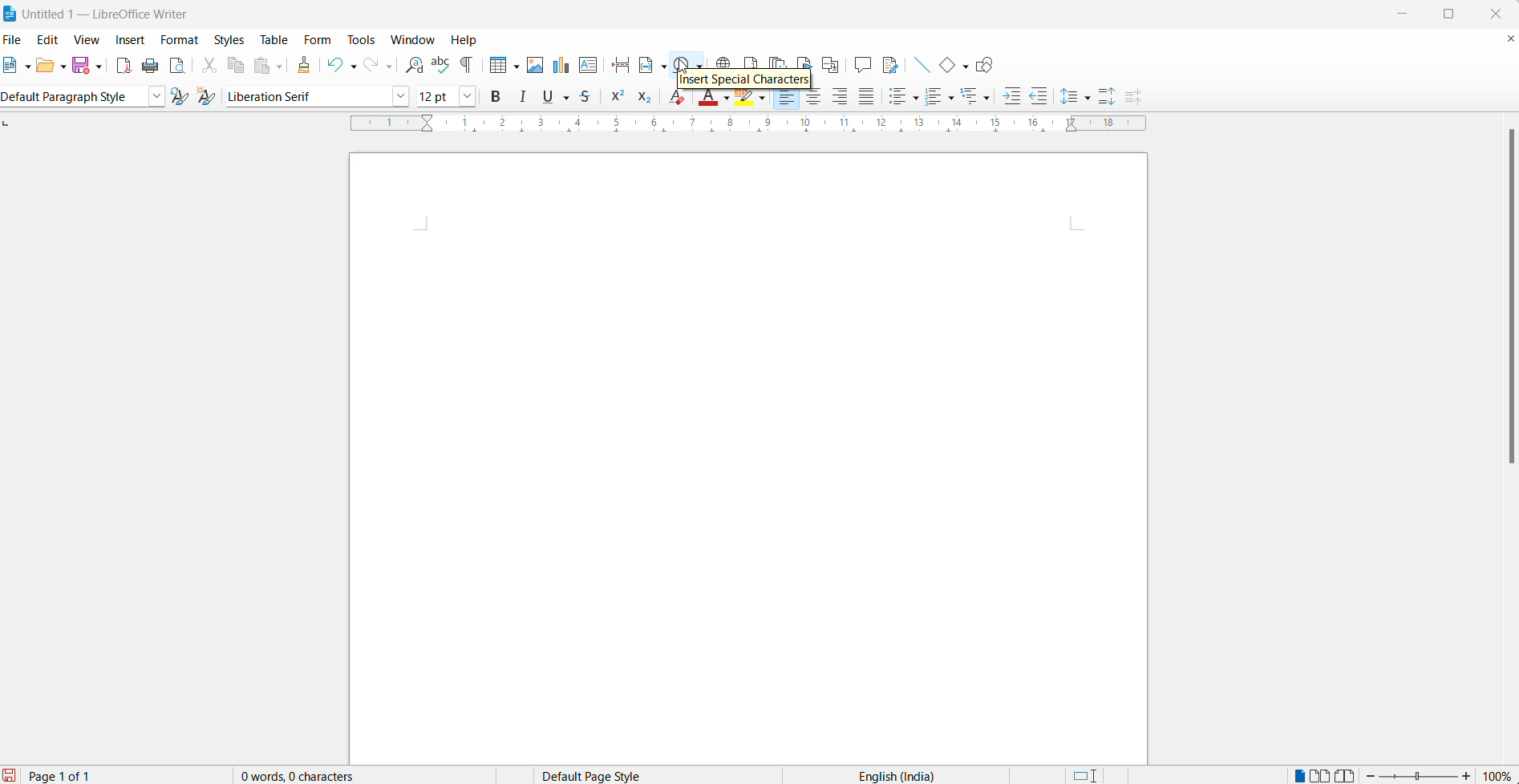 This screenshot has width=1519, height=784. What do you see at coordinates (589, 65) in the screenshot?
I see `add text` at bounding box center [589, 65].